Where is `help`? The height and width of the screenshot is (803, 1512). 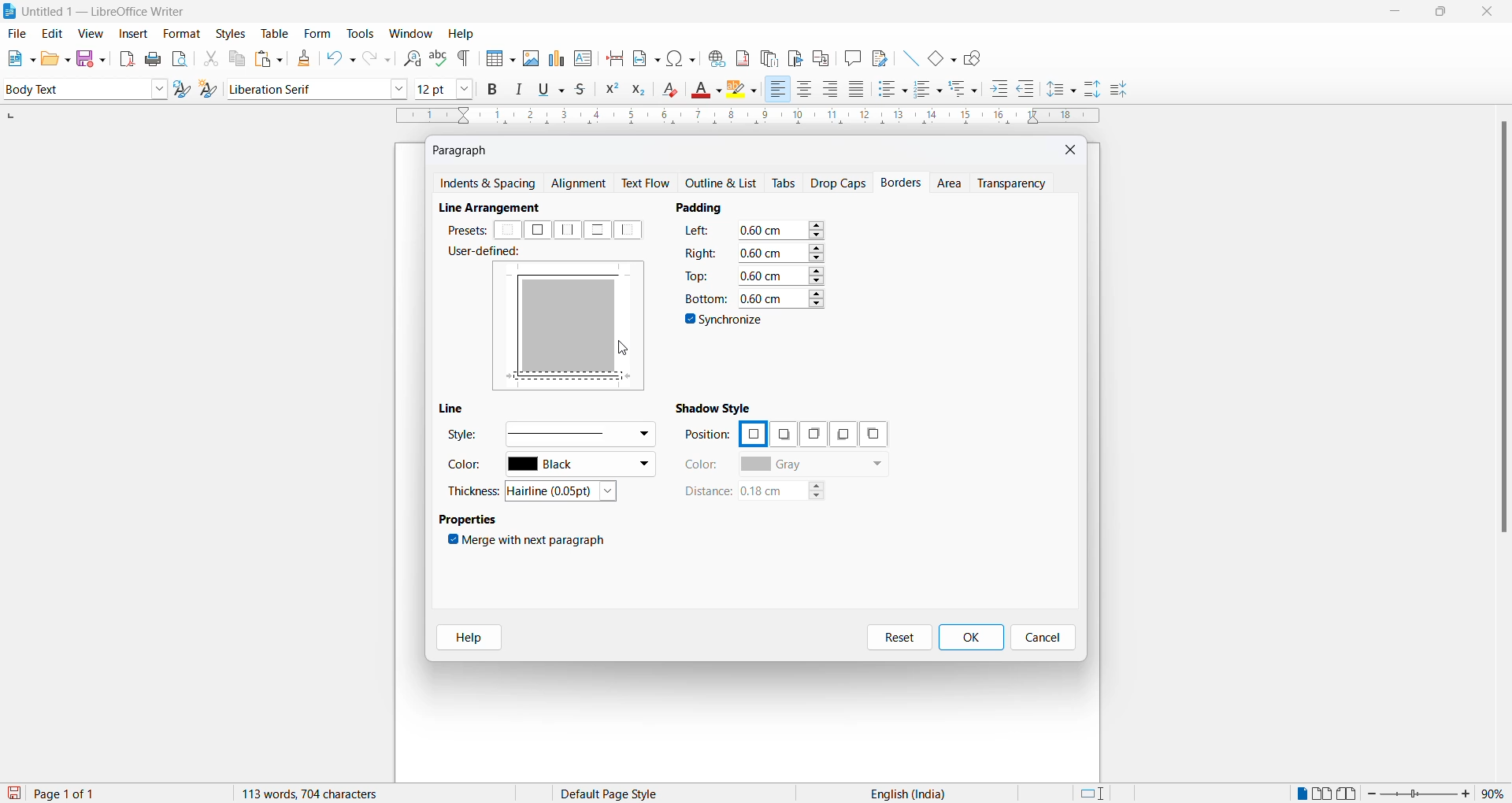
help is located at coordinates (464, 638).